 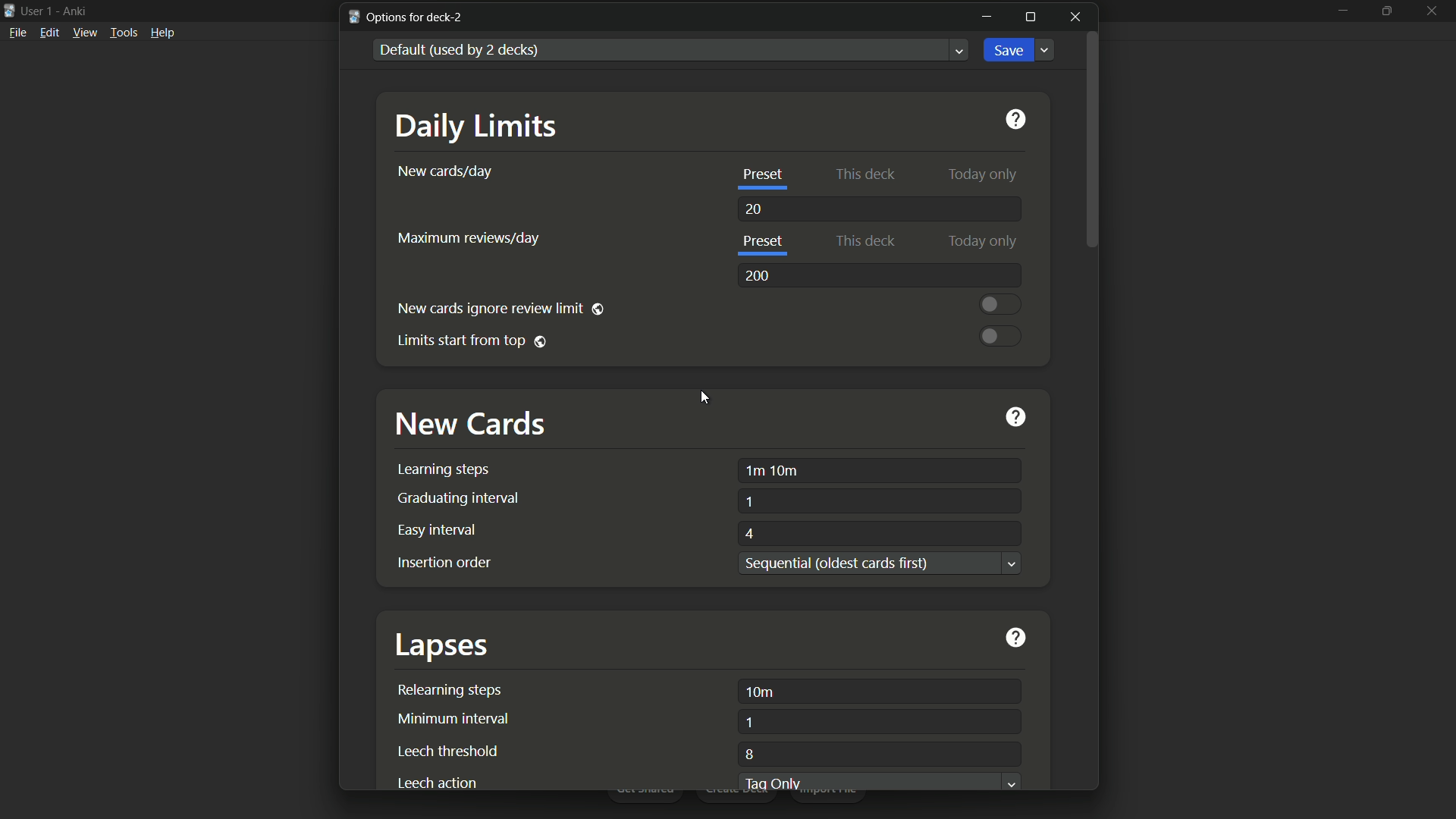 What do you see at coordinates (706, 398) in the screenshot?
I see `cursor` at bounding box center [706, 398].